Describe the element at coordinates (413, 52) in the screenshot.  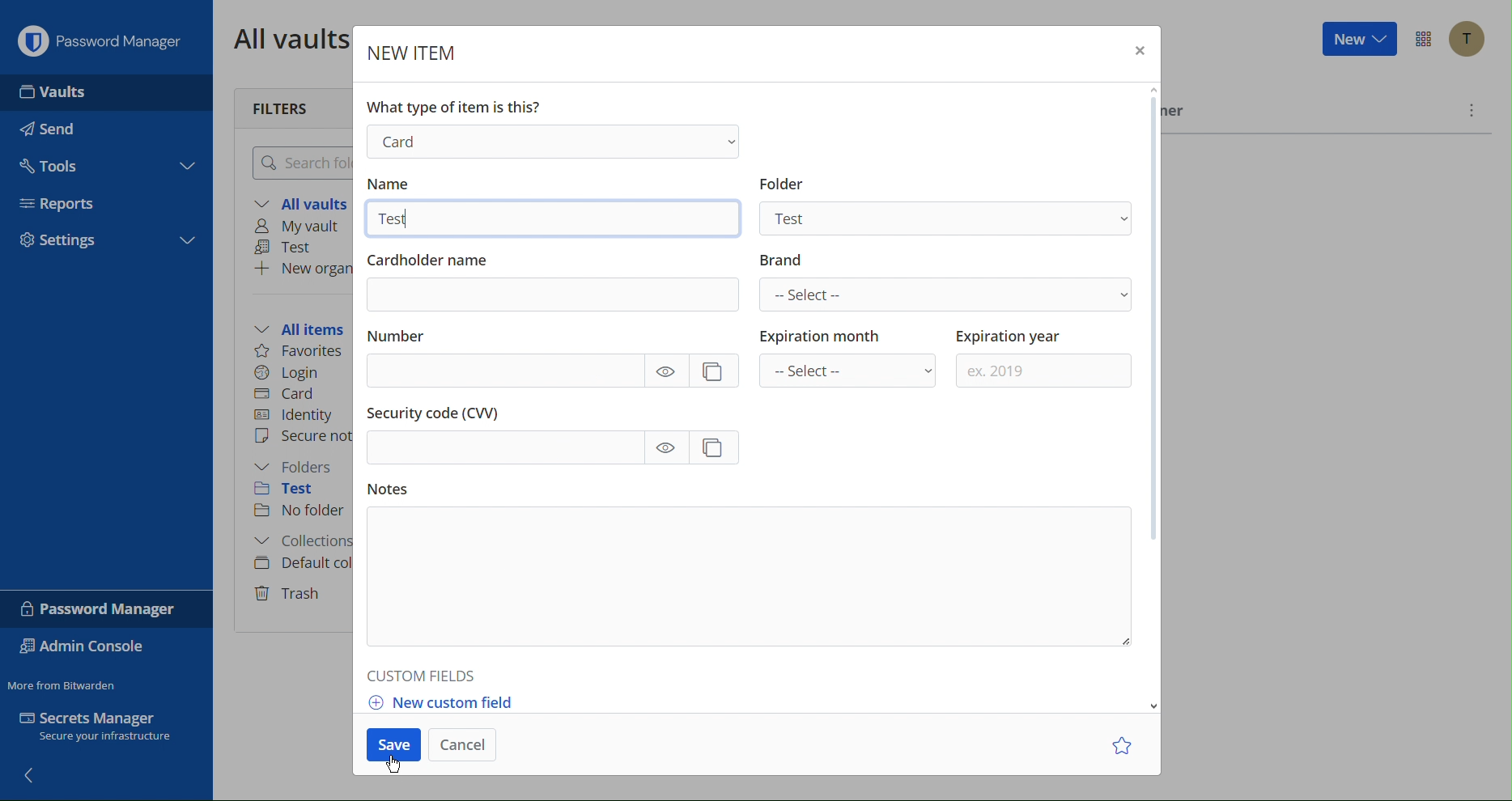
I see `New Item` at that location.